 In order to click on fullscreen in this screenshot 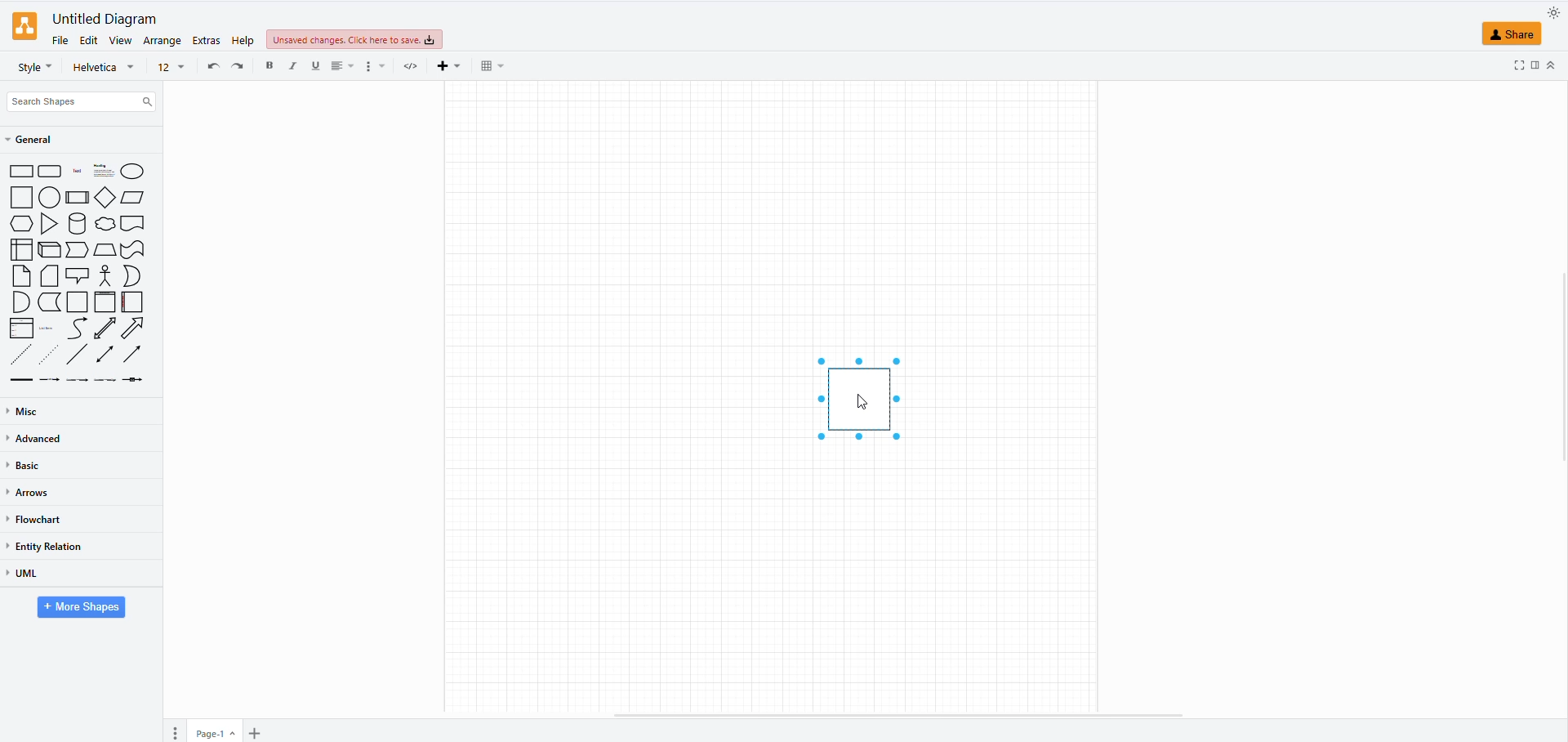, I will do `click(1512, 65)`.